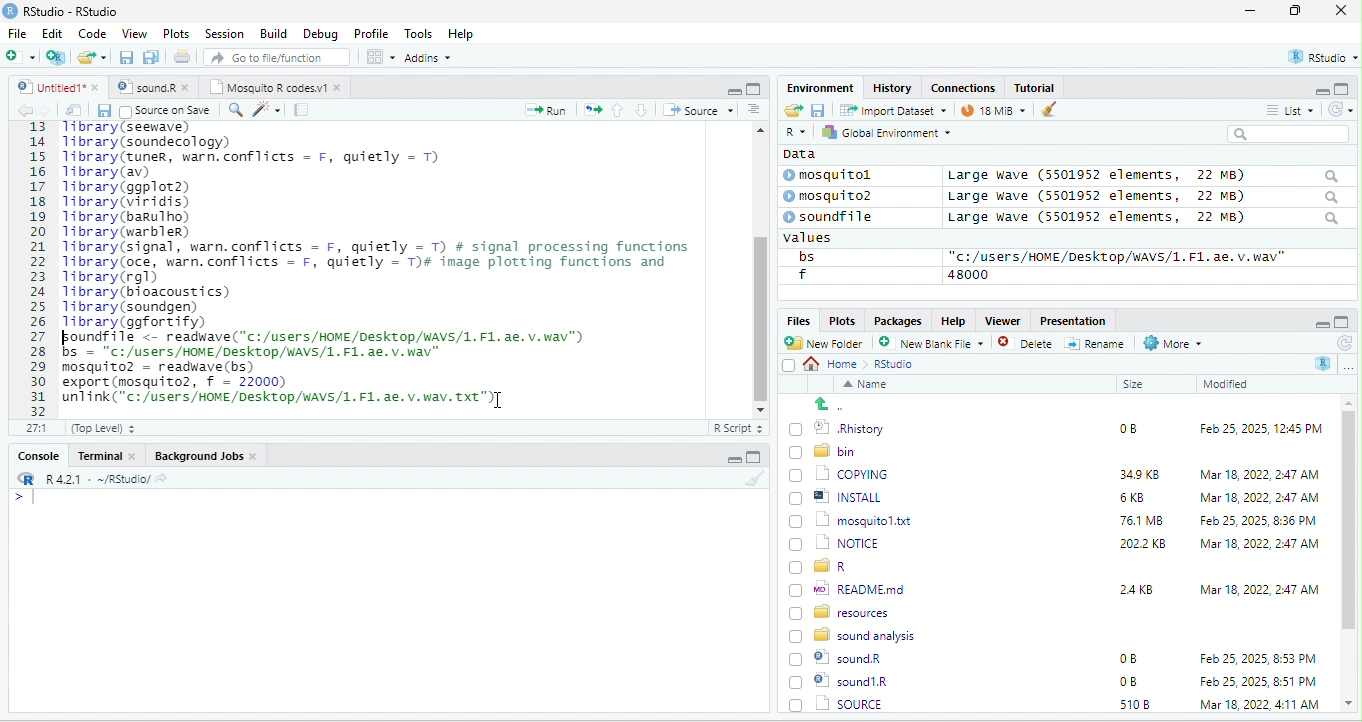  Describe the element at coordinates (842, 320) in the screenshot. I see `Plots` at that location.